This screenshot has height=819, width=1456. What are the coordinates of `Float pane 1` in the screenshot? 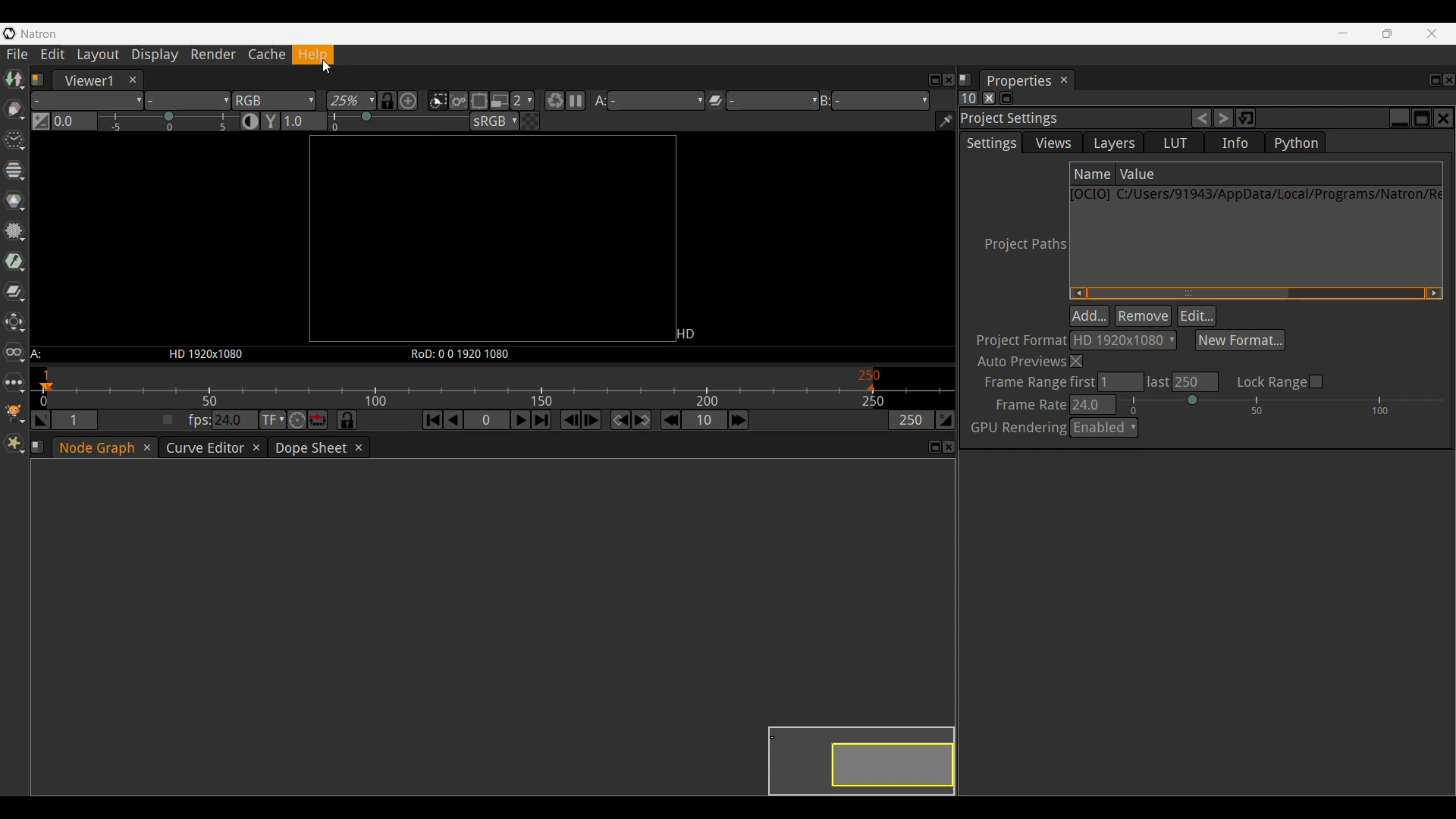 It's located at (934, 80).